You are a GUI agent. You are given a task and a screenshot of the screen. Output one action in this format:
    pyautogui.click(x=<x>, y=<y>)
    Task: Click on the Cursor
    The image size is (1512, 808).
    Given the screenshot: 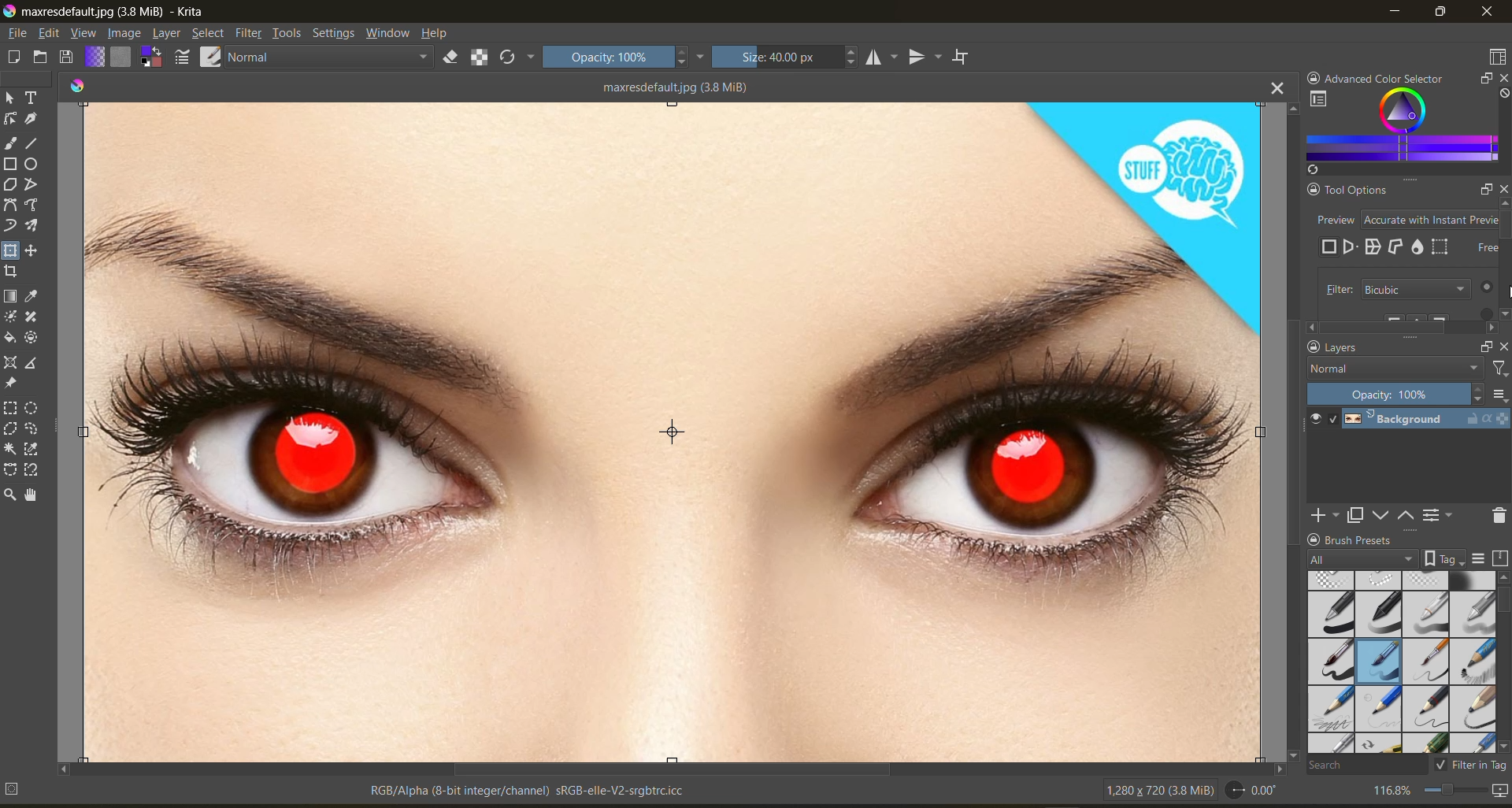 What is the action you would take?
    pyautogui.click(x=1503, y=293)
    